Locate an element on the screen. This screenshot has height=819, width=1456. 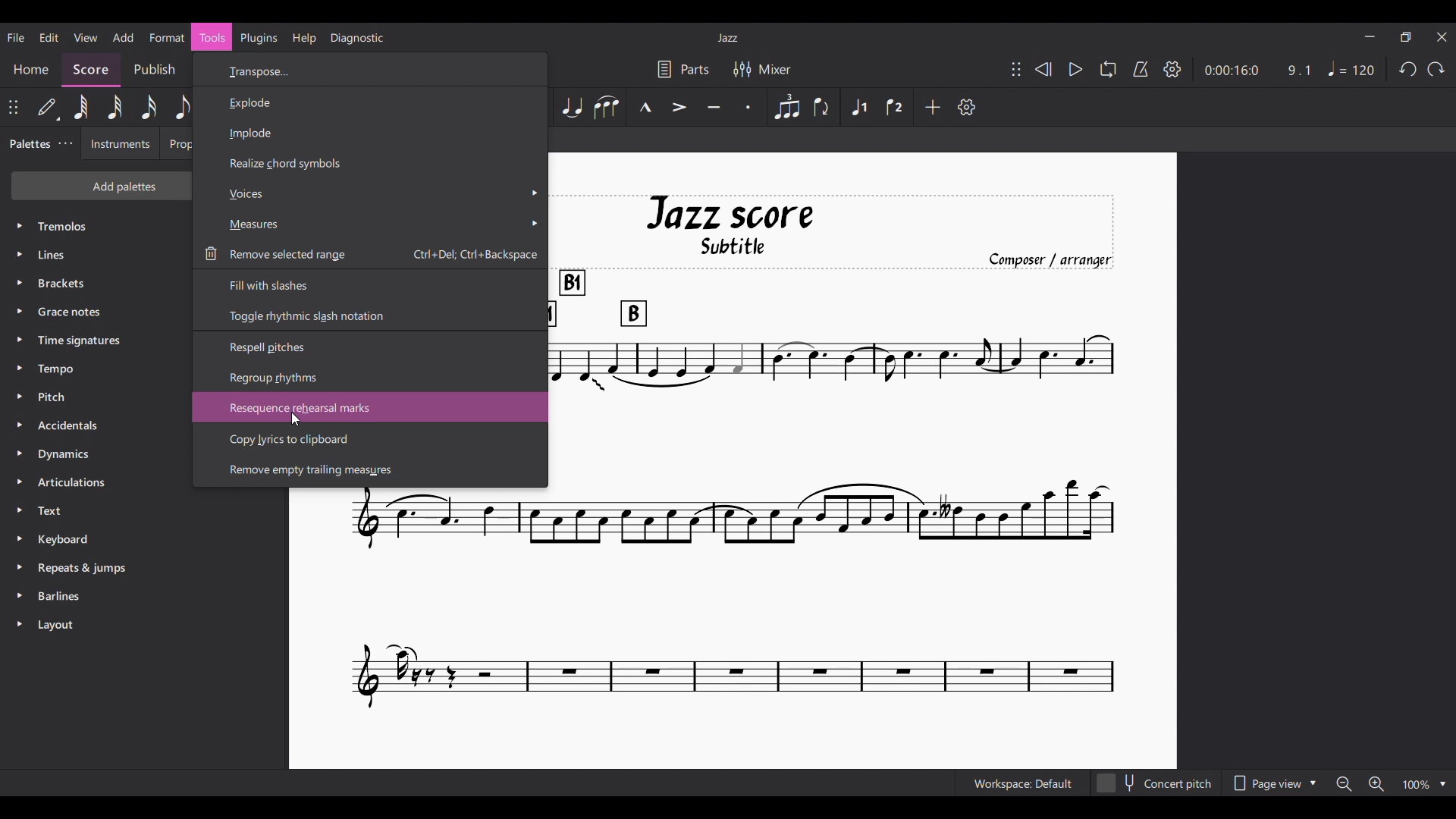
Respell pitches is located at coordinates (371, 347).